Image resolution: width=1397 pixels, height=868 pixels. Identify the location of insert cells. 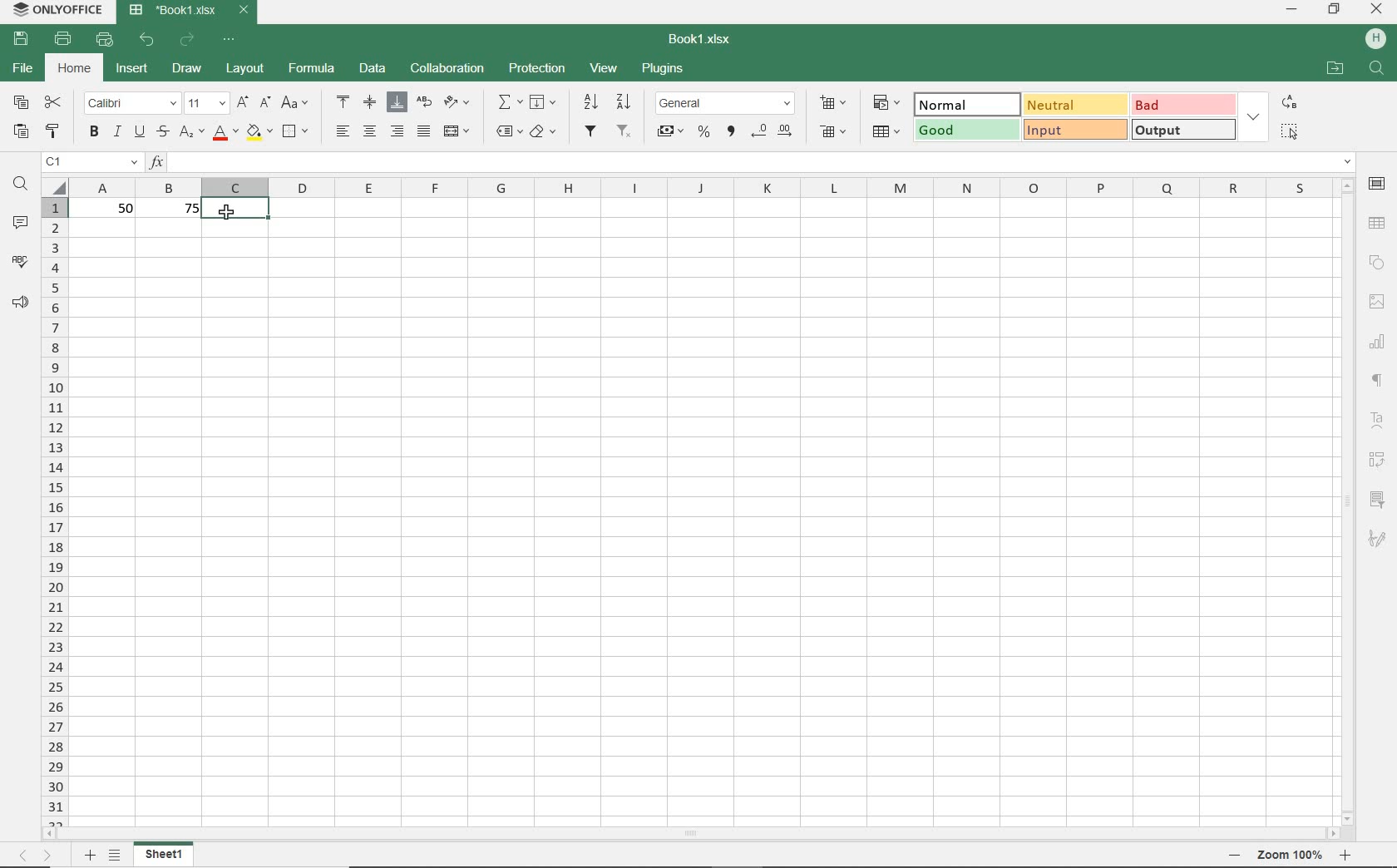
(832, 104).